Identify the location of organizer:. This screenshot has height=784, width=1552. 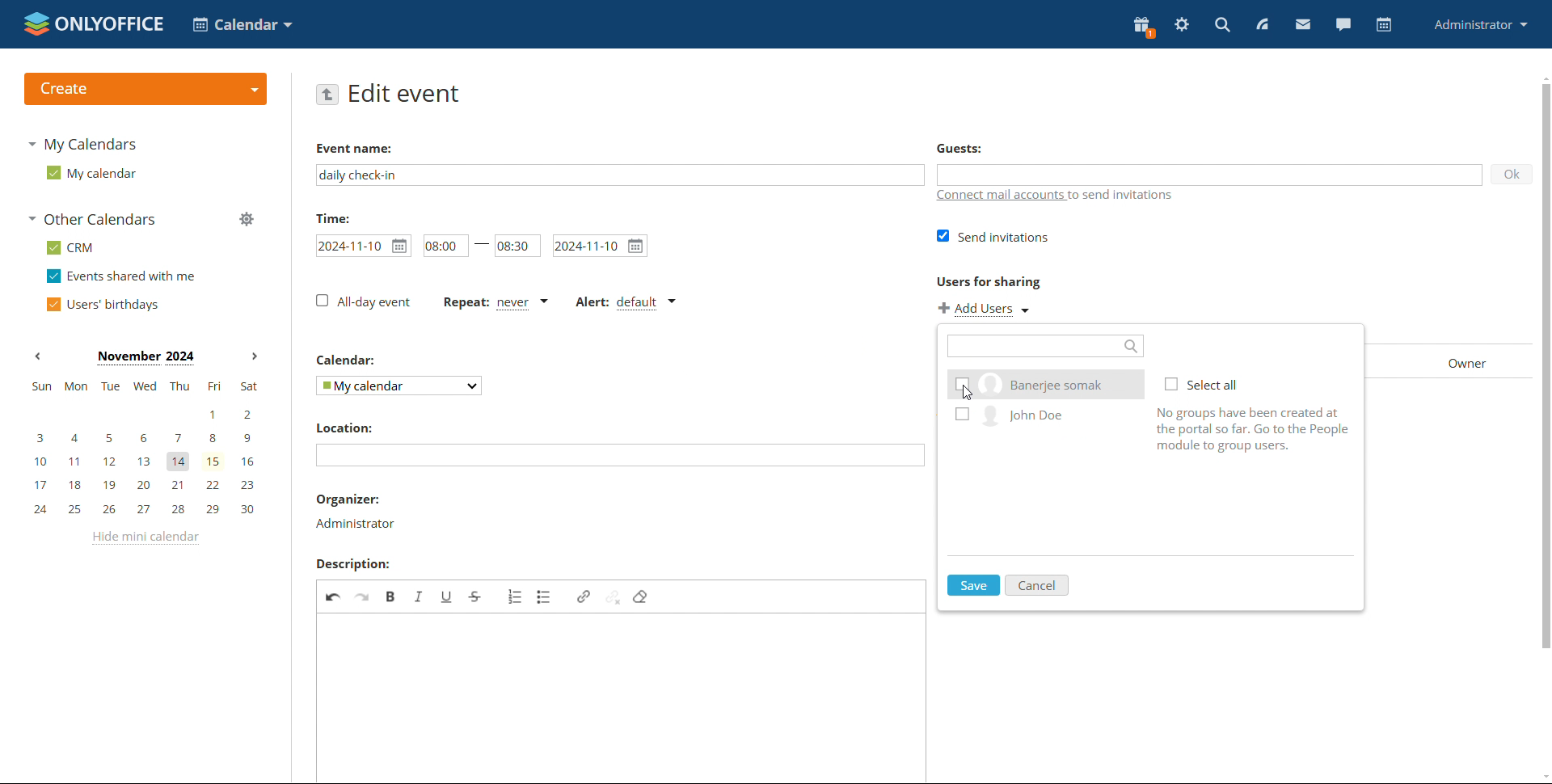
(349, 501).